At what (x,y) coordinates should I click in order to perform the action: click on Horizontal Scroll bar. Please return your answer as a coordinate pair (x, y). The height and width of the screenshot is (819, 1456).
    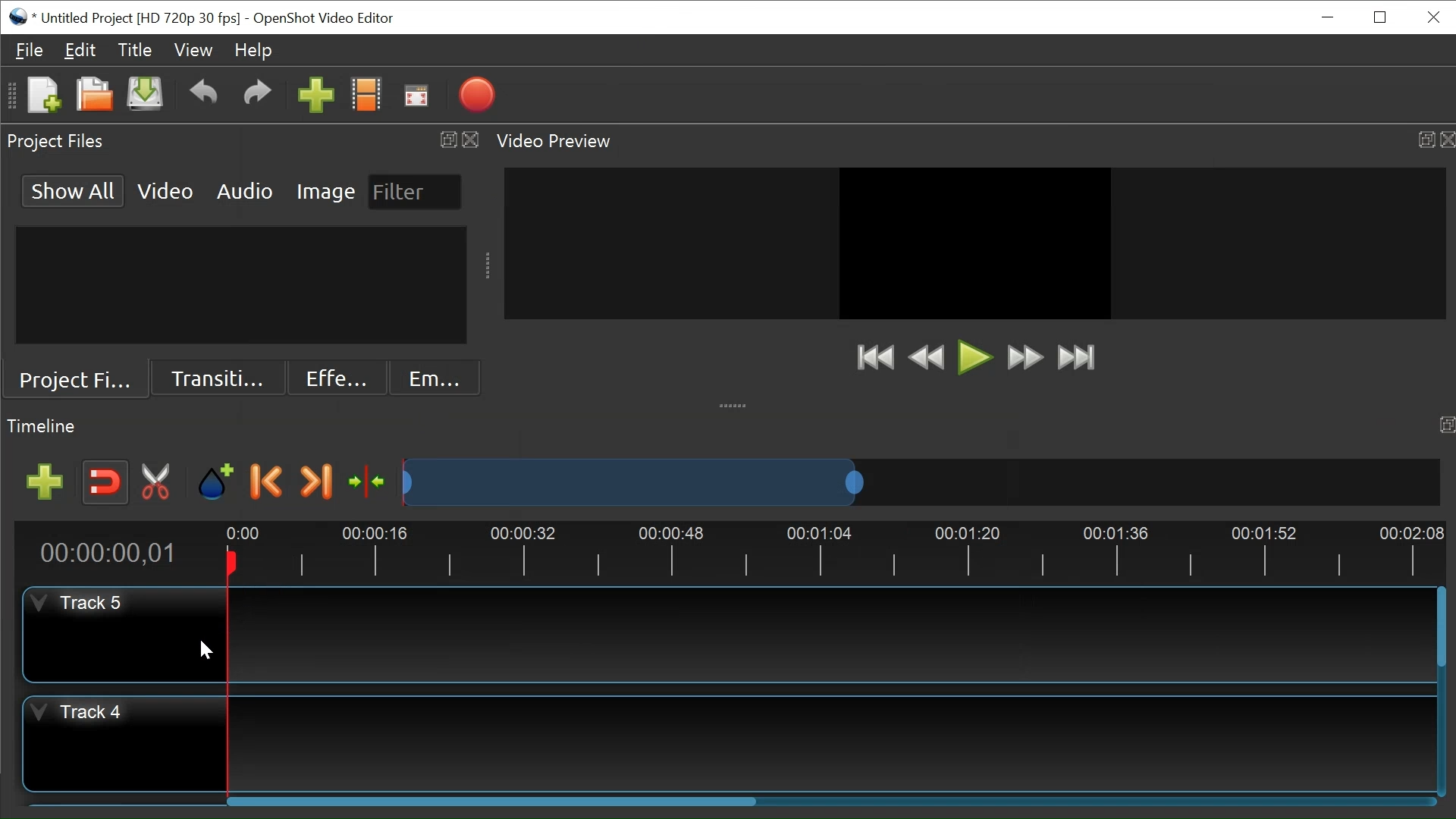
    Looking at the image, I should click on (493, 800).